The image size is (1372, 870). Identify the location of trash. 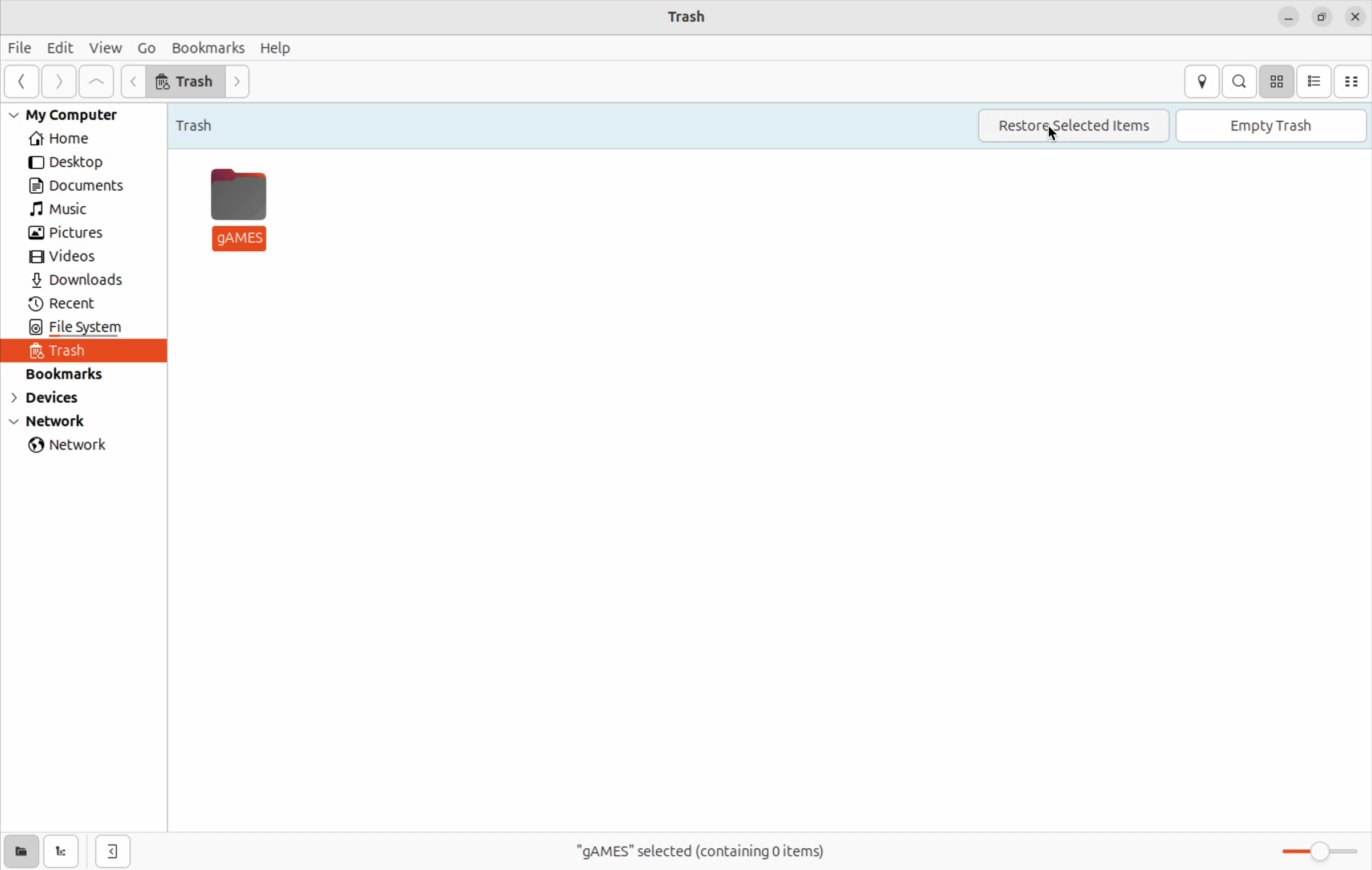
(206, 122).